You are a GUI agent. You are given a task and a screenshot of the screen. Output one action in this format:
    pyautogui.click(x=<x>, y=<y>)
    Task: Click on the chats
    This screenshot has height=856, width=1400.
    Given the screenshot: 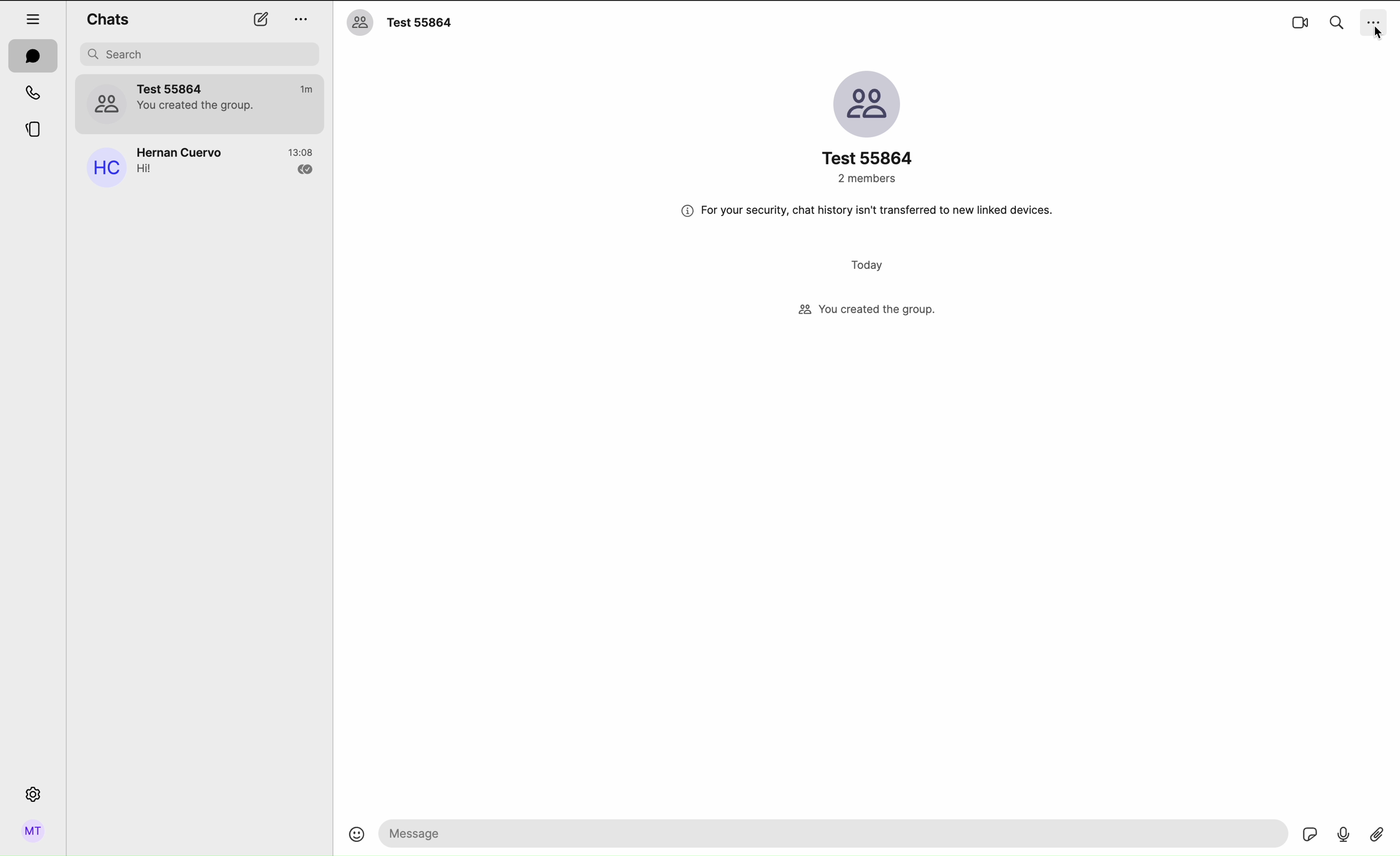 What is the action you would take?
    pyautogui.click(x=34, y=56)
    